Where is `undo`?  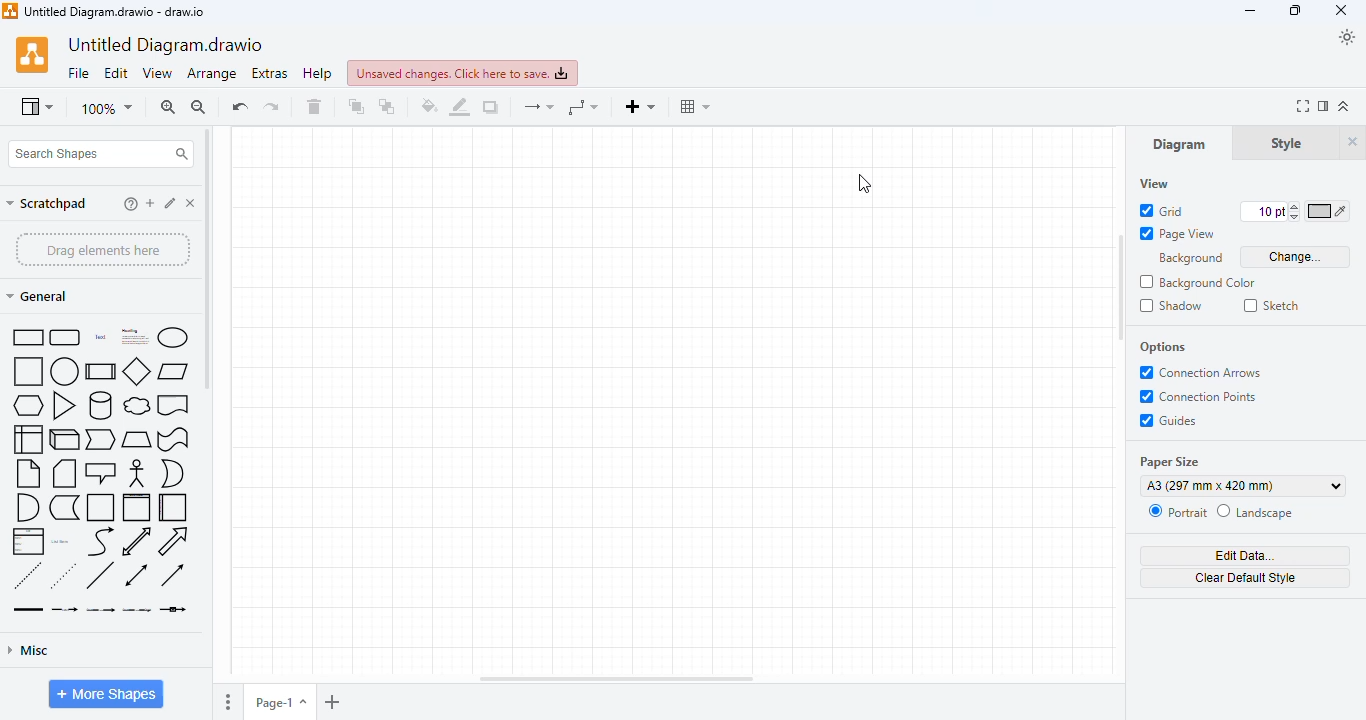 undo is located at coordinates (239, 106).